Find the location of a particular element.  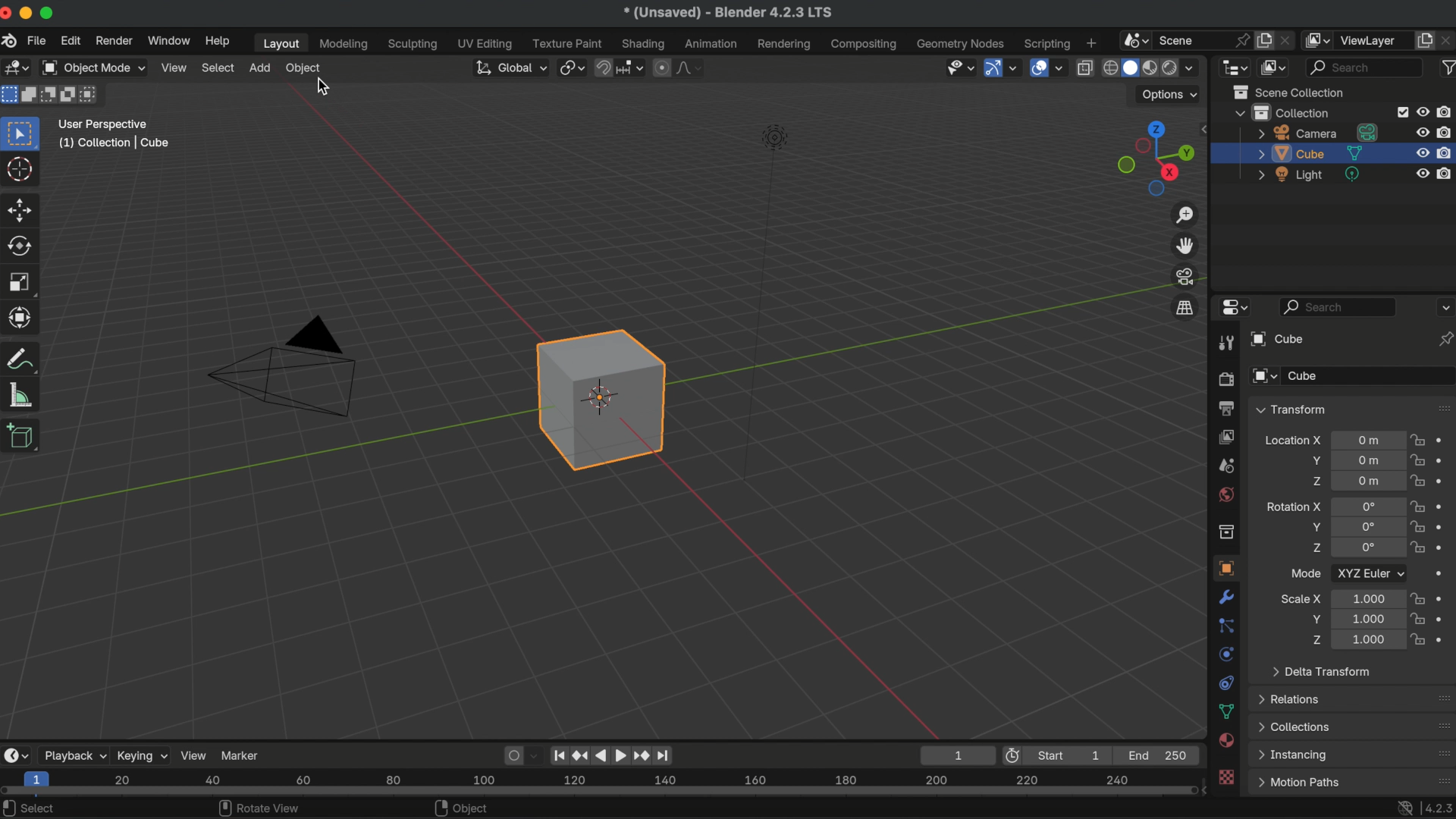

disable in render is located at coordinates (1446, 172).